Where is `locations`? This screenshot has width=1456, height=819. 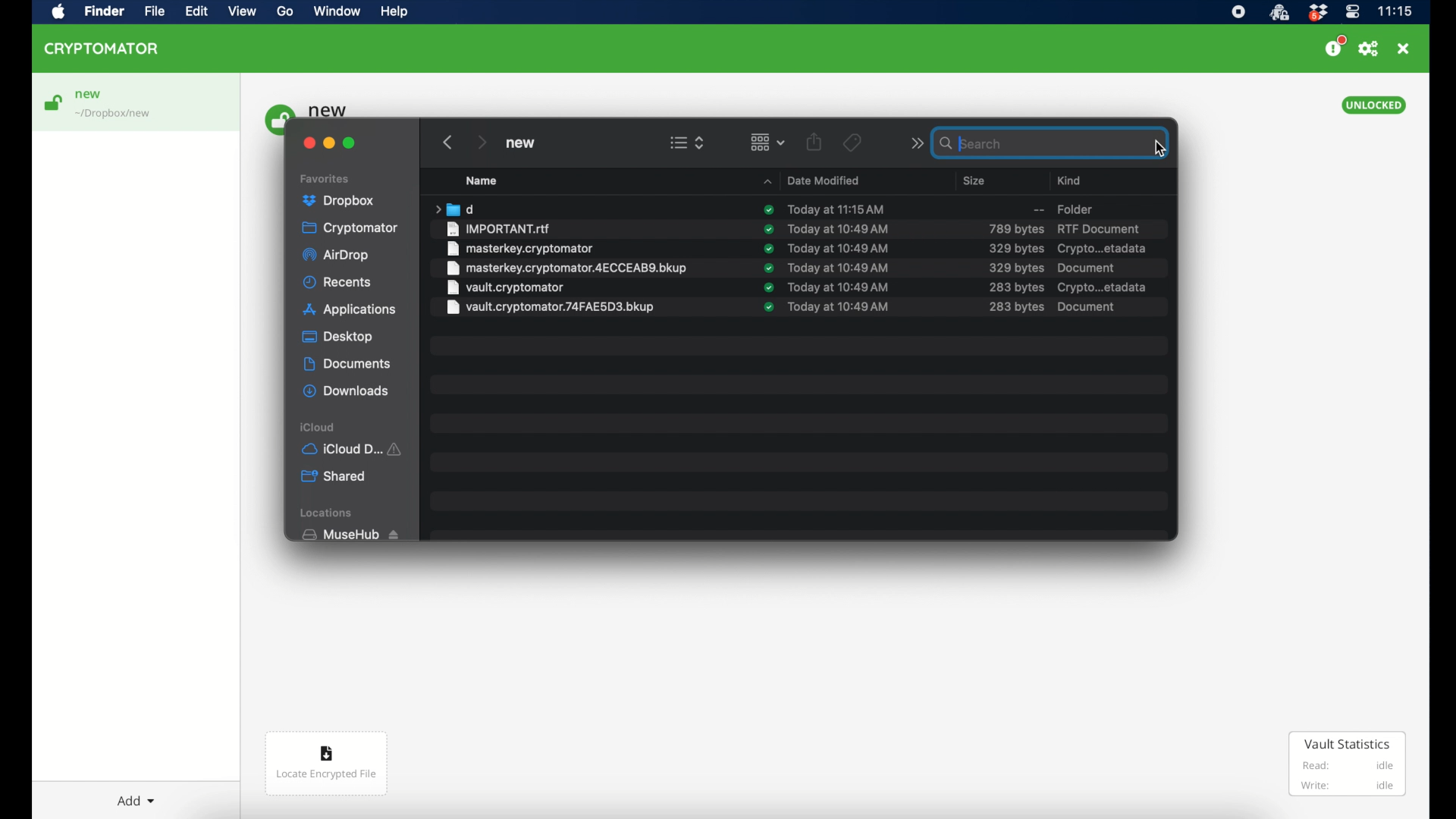
locations is located at coordinates (328, 513).